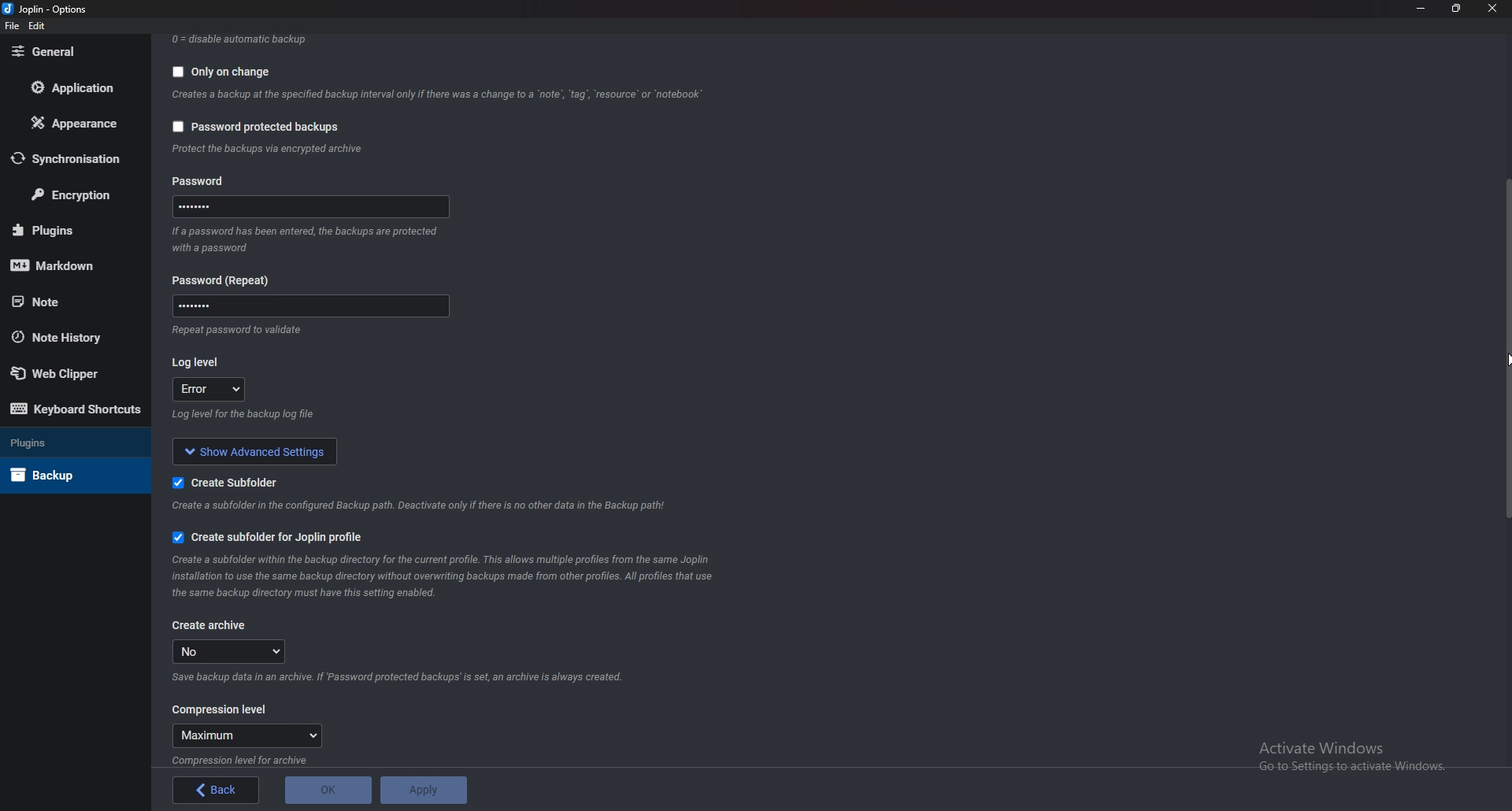 The width and height of the screenshot is (1512, 811). I want to click on scroll bar, so click(1506, 353).